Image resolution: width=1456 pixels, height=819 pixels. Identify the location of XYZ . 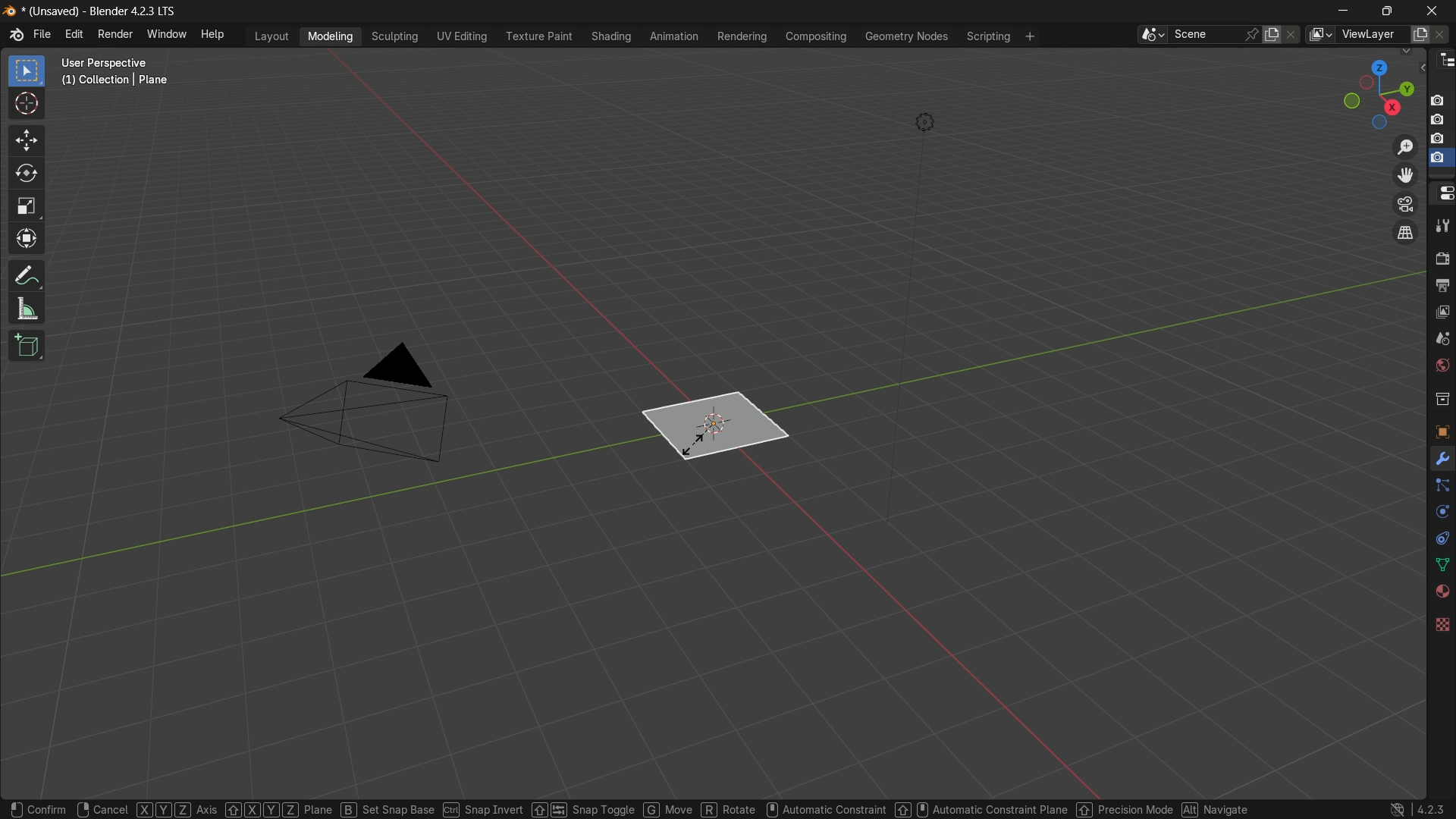
(259, 805).